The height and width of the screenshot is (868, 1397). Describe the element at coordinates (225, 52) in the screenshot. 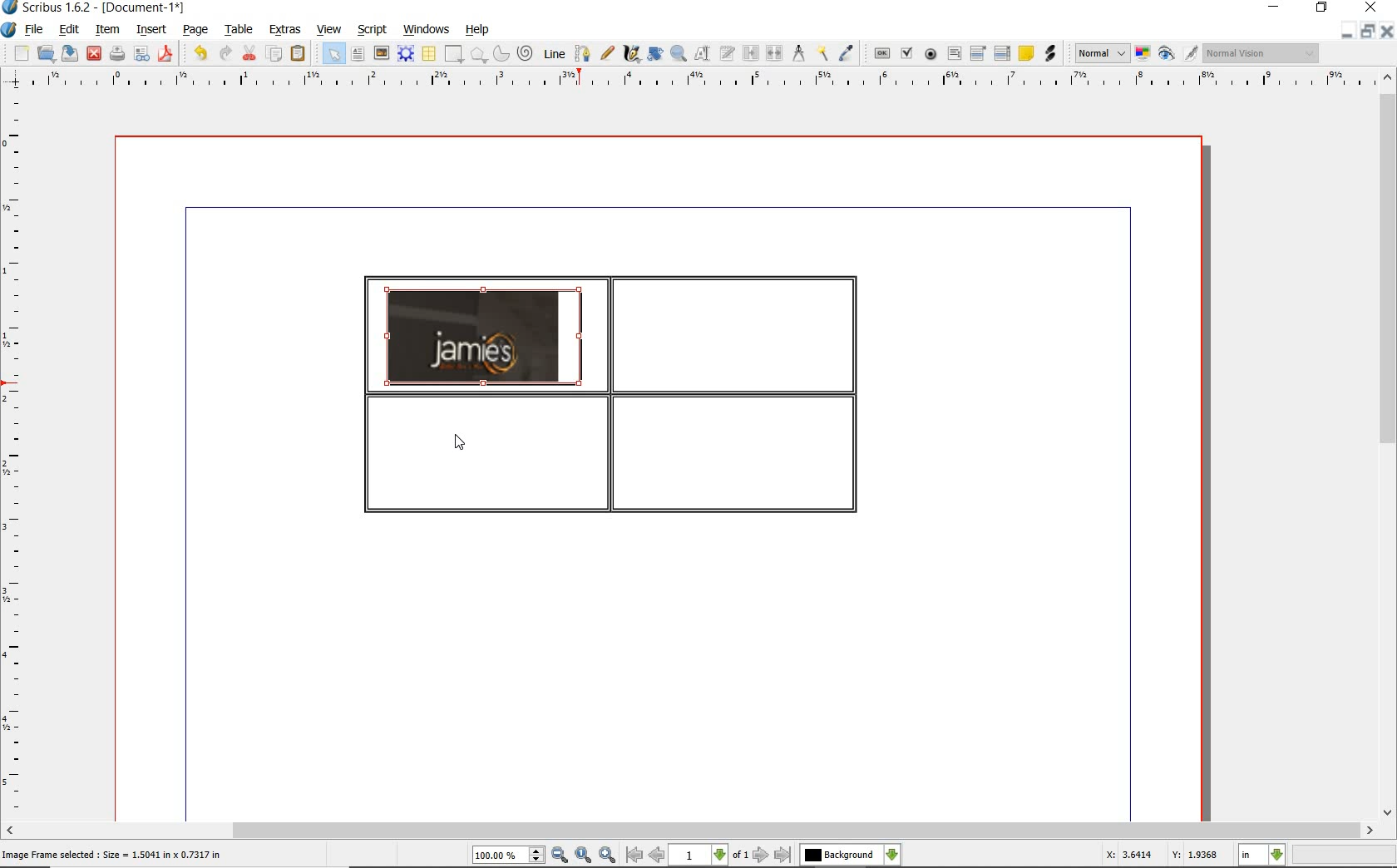

I see `redo` at that location.